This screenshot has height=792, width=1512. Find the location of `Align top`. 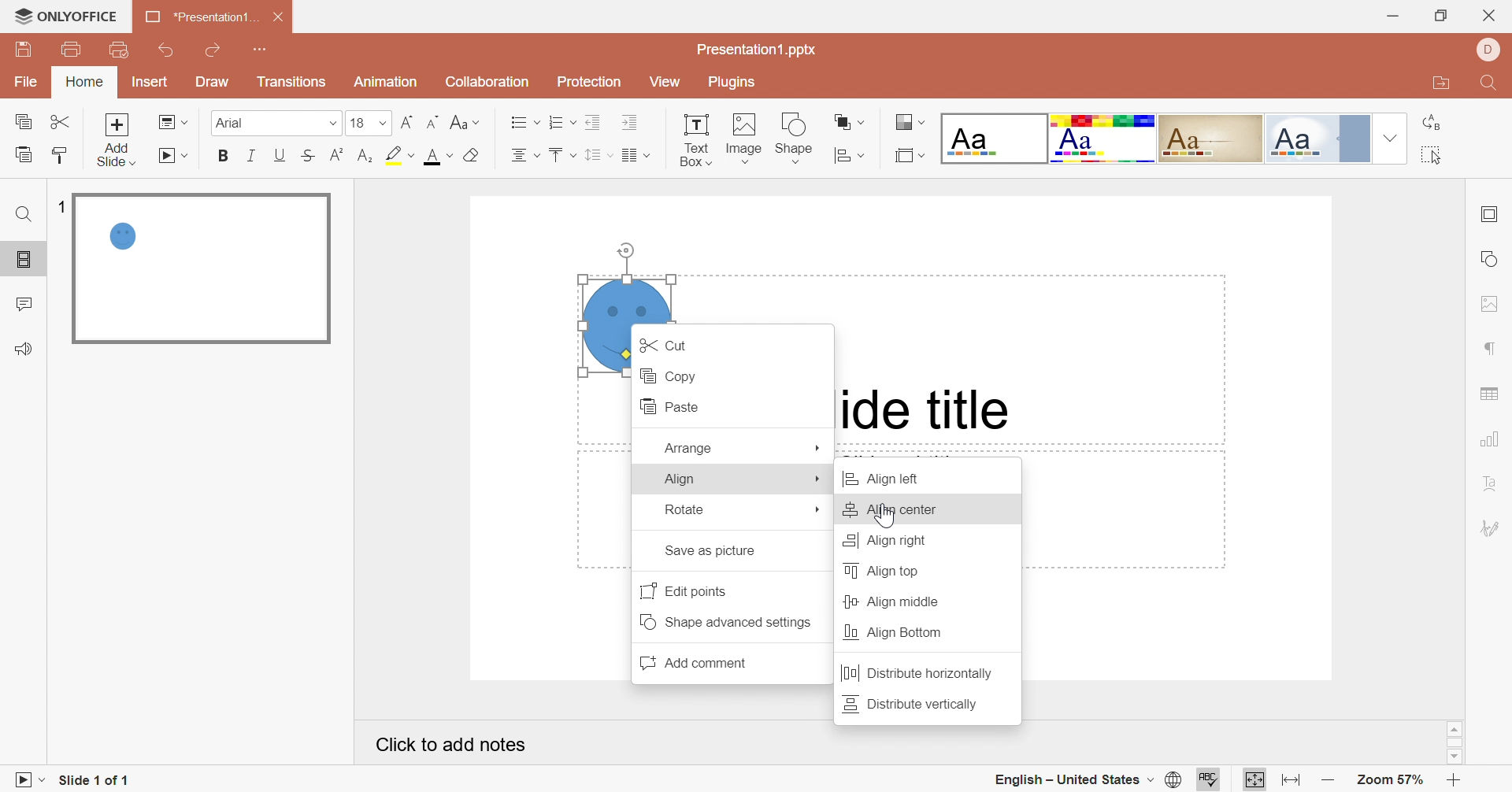

Align top is located at coordinates (887, 570).